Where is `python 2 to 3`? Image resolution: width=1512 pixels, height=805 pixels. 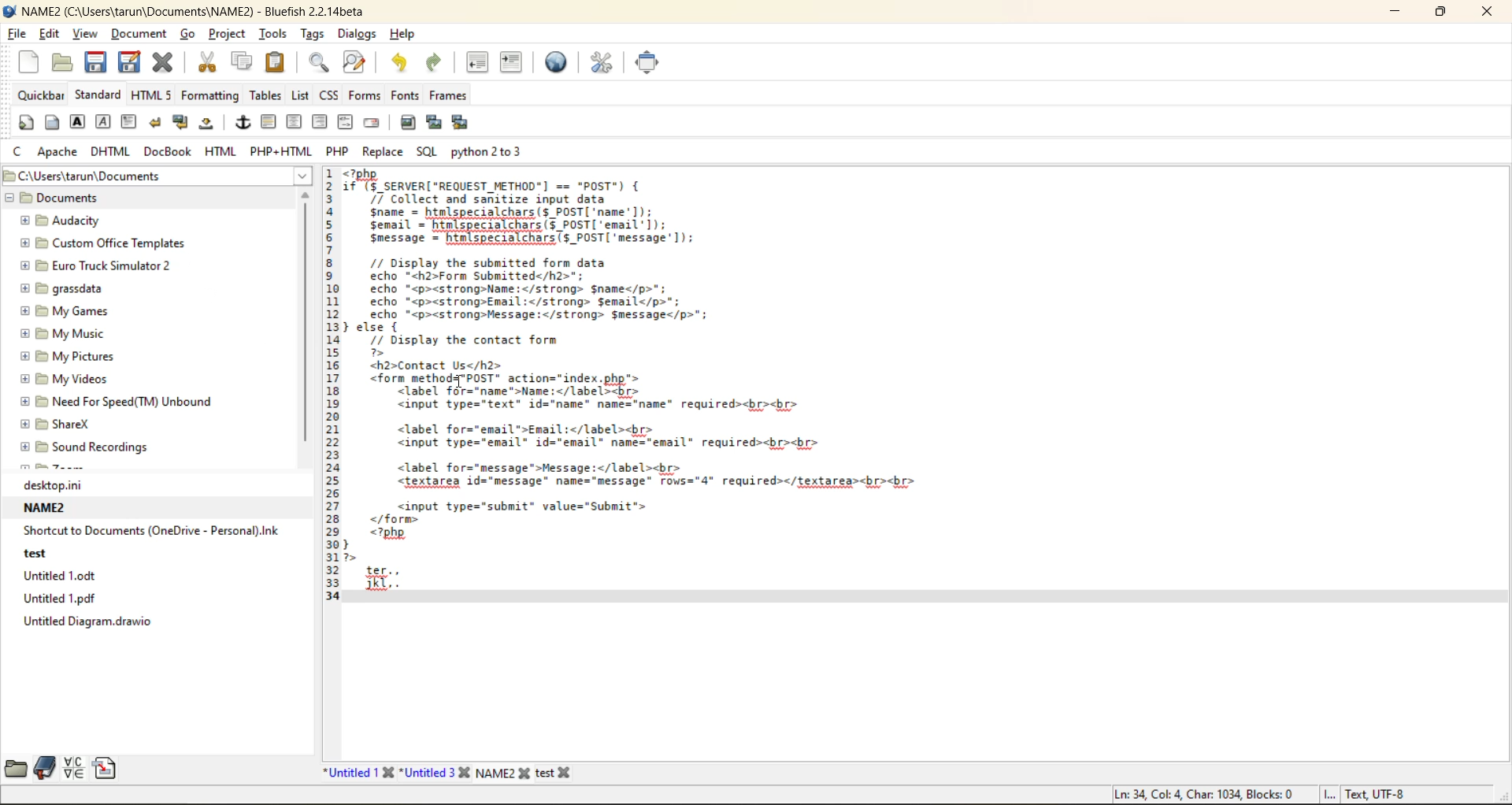 python 2 to 3 is located at coordinates (490, 152).